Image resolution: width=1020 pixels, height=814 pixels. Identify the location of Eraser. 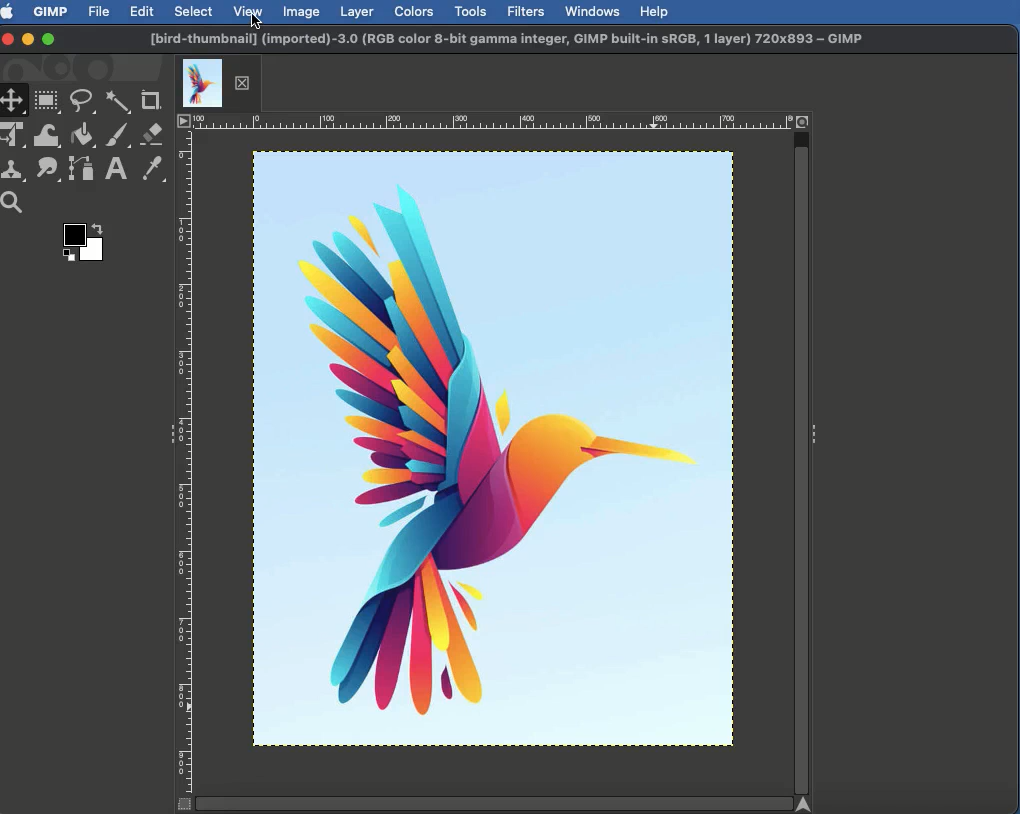
(153, 135).